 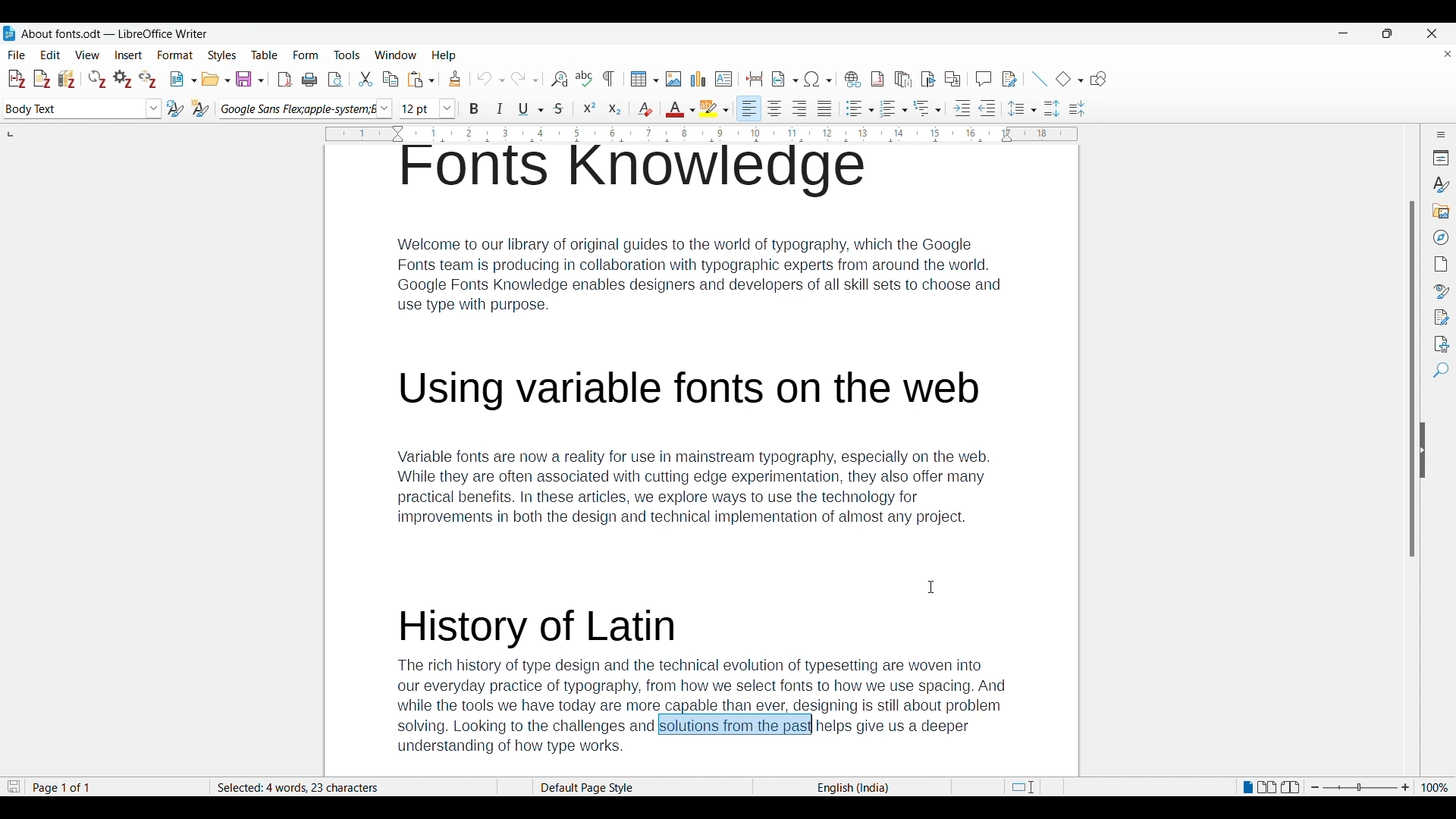 I want to click on Find and replace, so click(x=558, y=79).